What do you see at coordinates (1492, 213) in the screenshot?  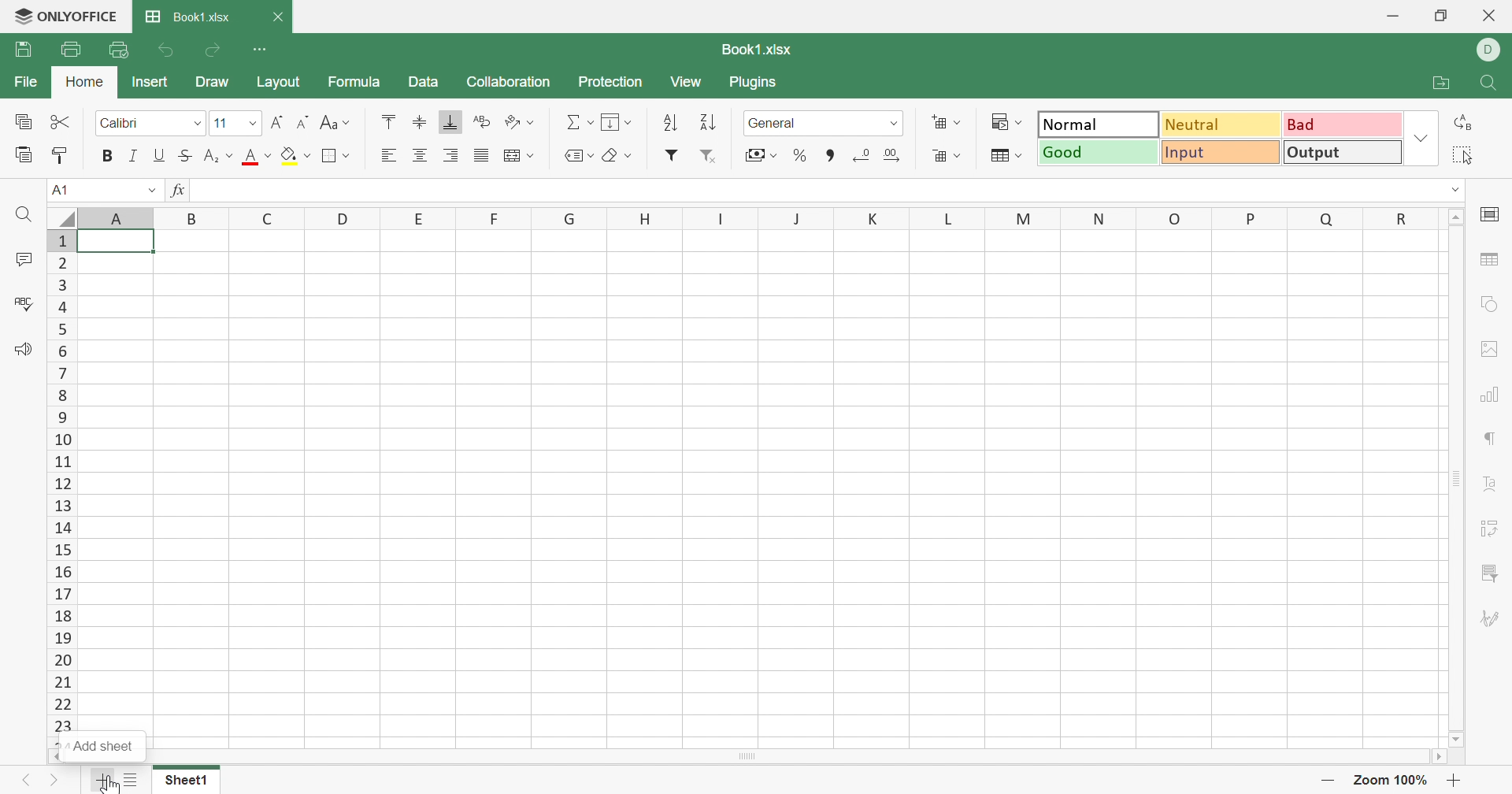 I see `Slide settings` at bounding box center [1492, 213].